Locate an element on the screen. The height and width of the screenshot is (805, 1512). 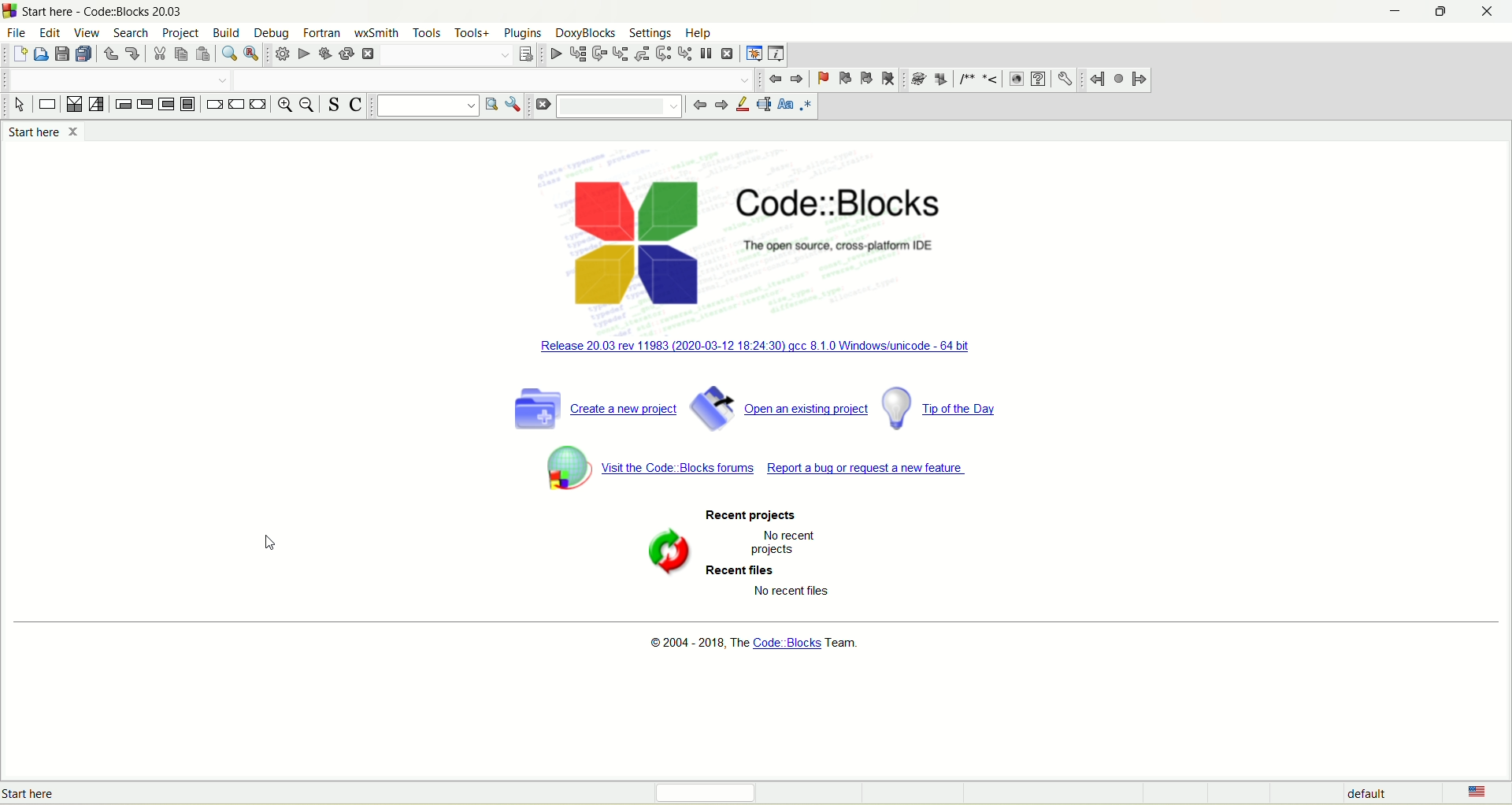
default is located at coordinates (1368, 795).